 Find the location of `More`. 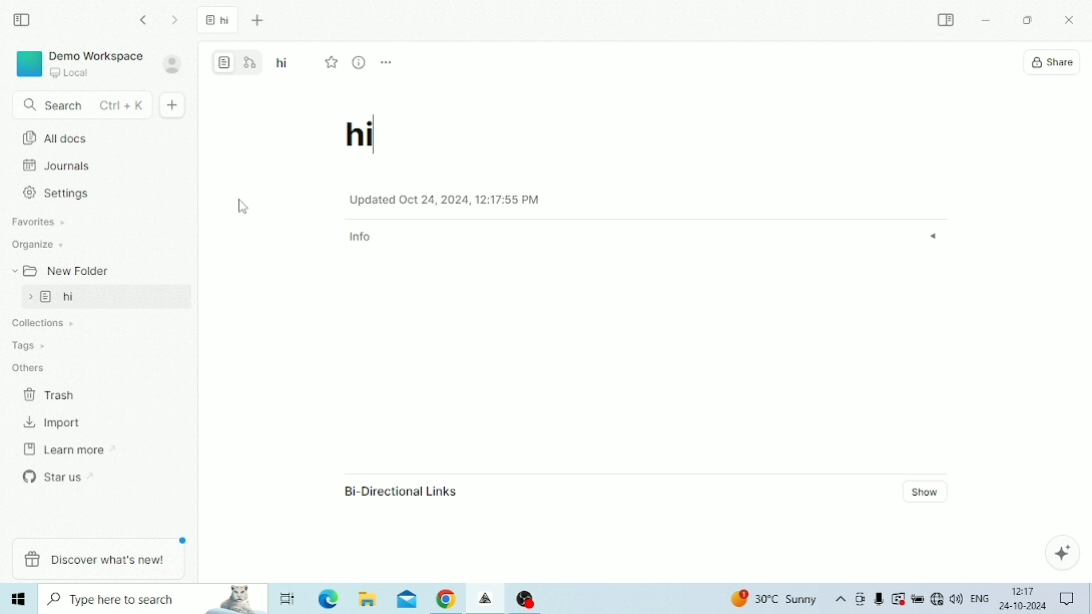

More is located at coordinates (387, 63).